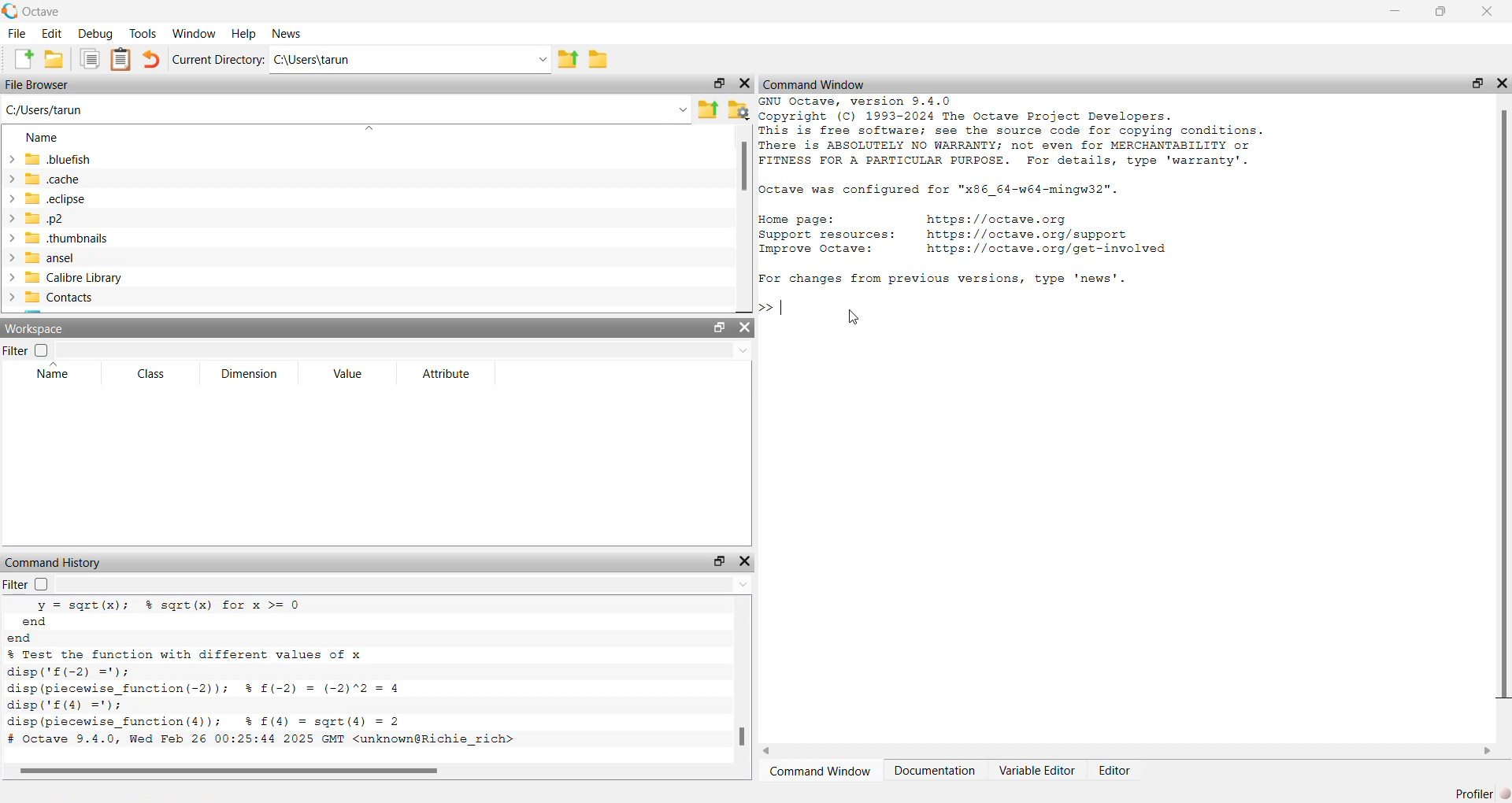  I want to click on One directory up, so click(569, 60).